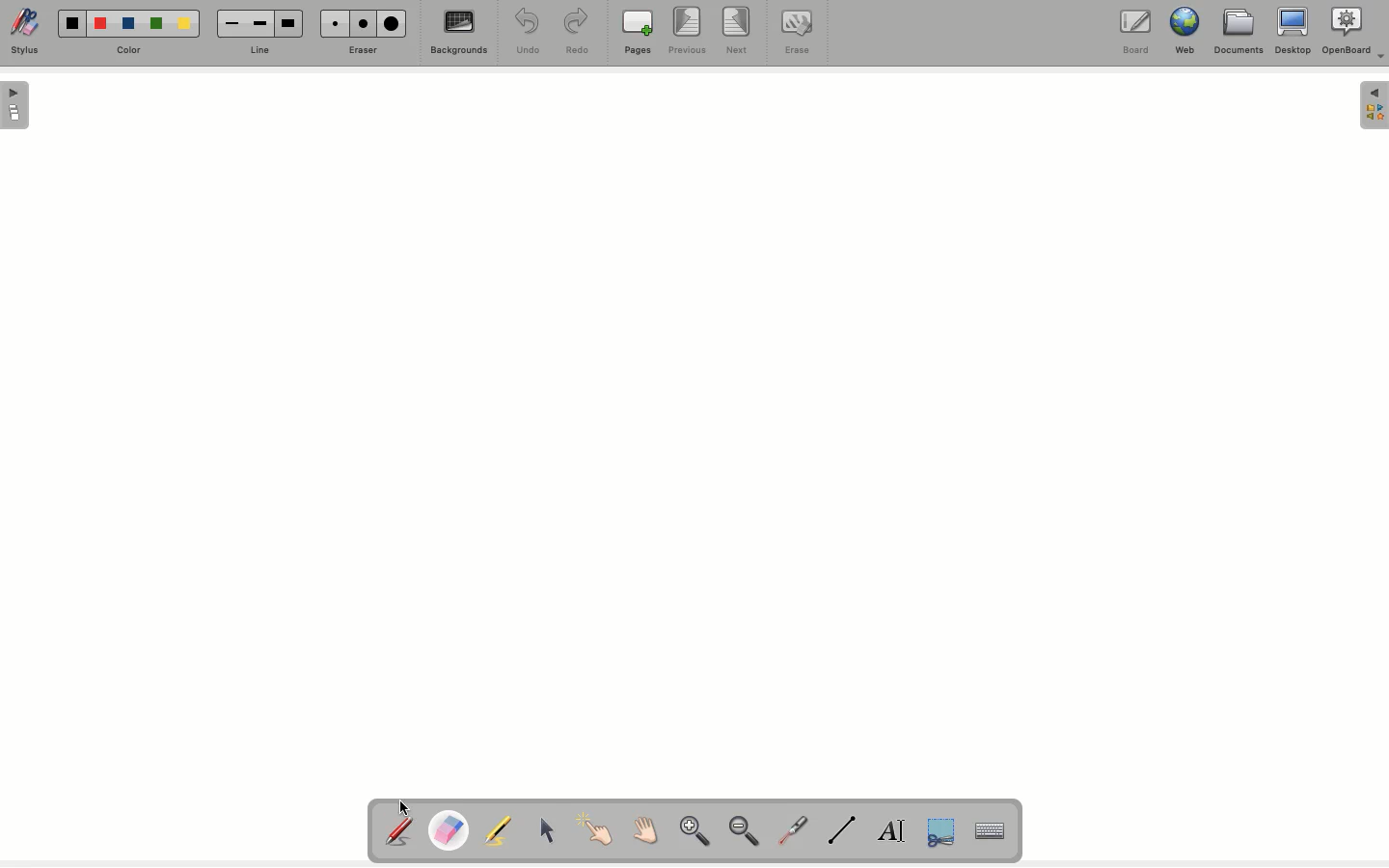  Describe the element at coordinates (1238, 35) in the screenshot. I see `Documents` at that location.